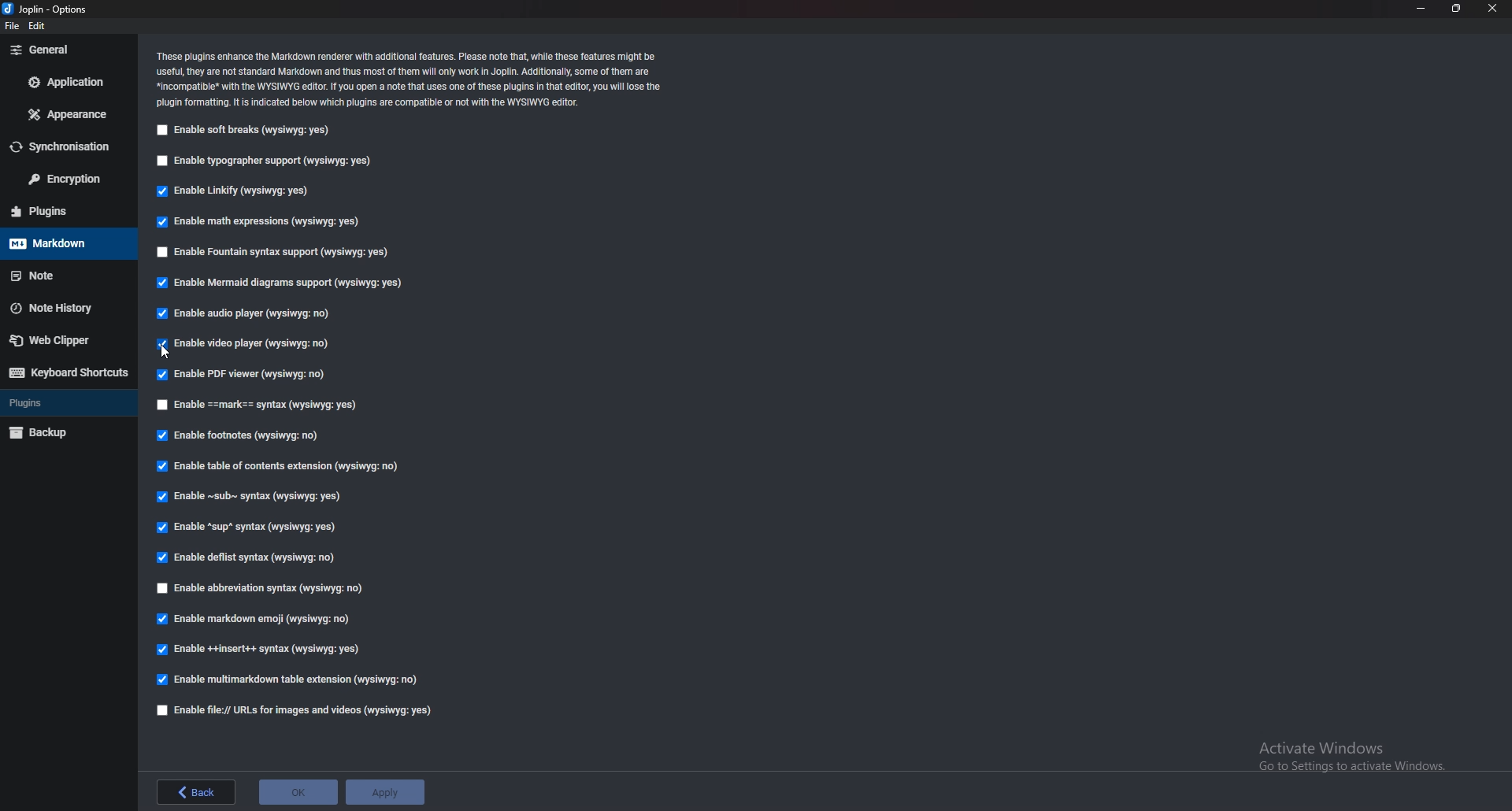 The image size is (1512, 811). I want to click on Enable file urls for images and videos (wysiqyg:yes), so click(297, 710).